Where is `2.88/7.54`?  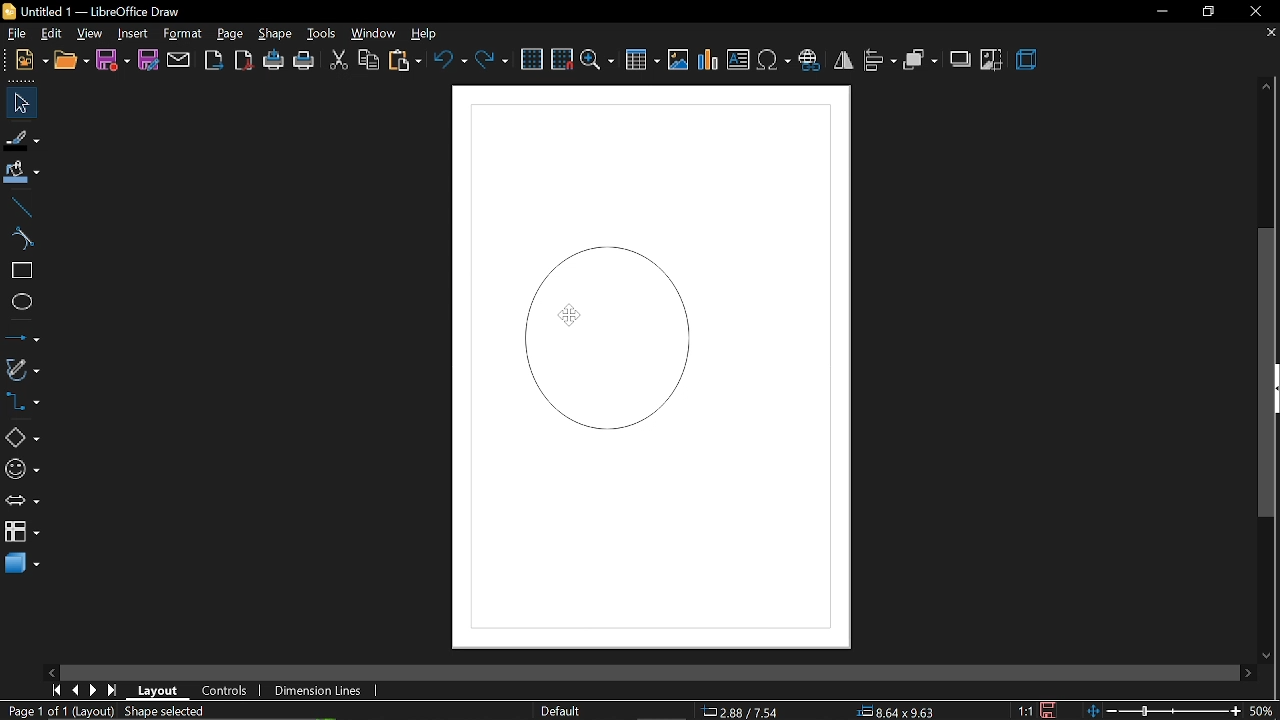
2.88/7.54 is located at coordinates (742, 710).